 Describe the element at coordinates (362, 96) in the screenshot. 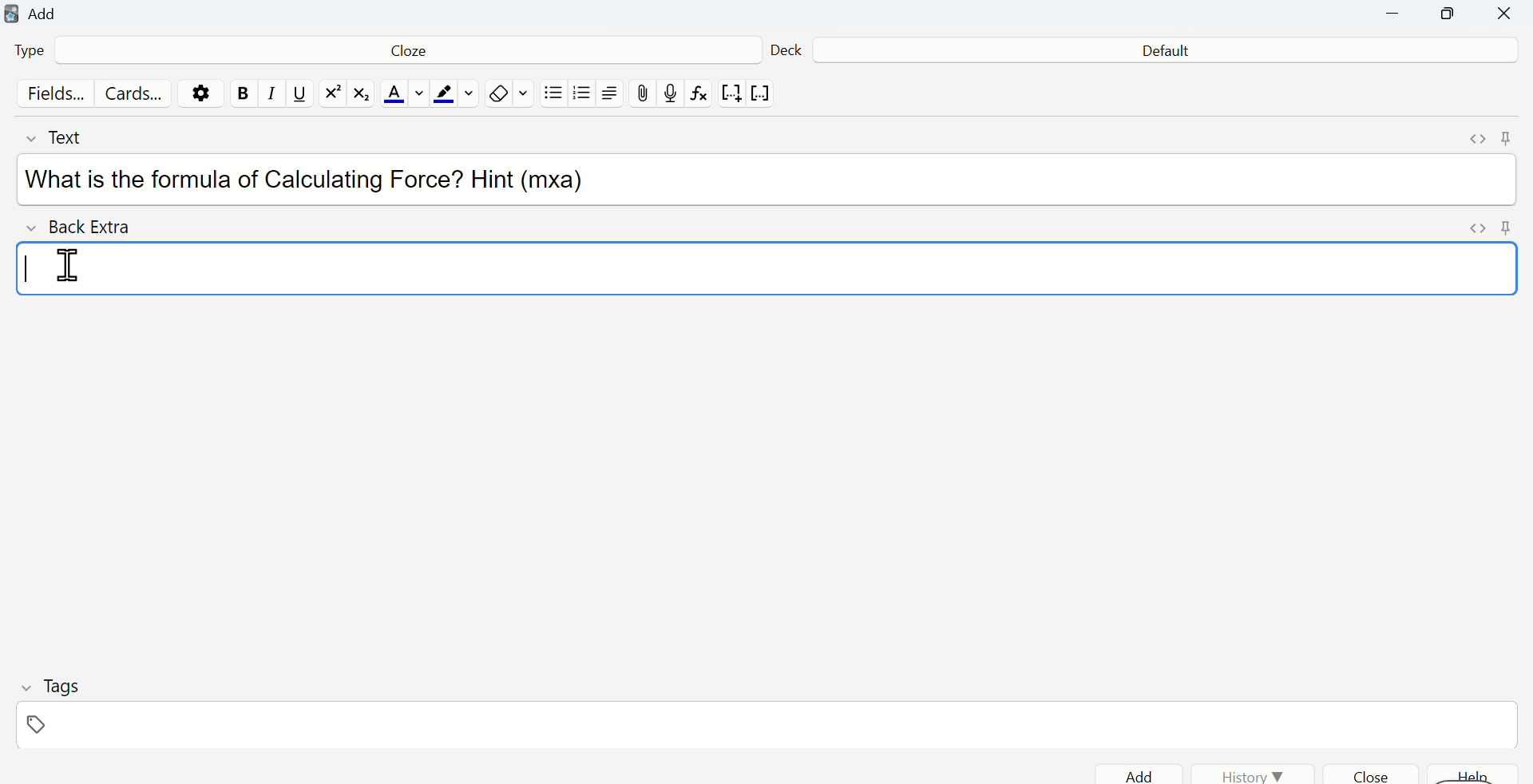

I see `matrix` at that location.